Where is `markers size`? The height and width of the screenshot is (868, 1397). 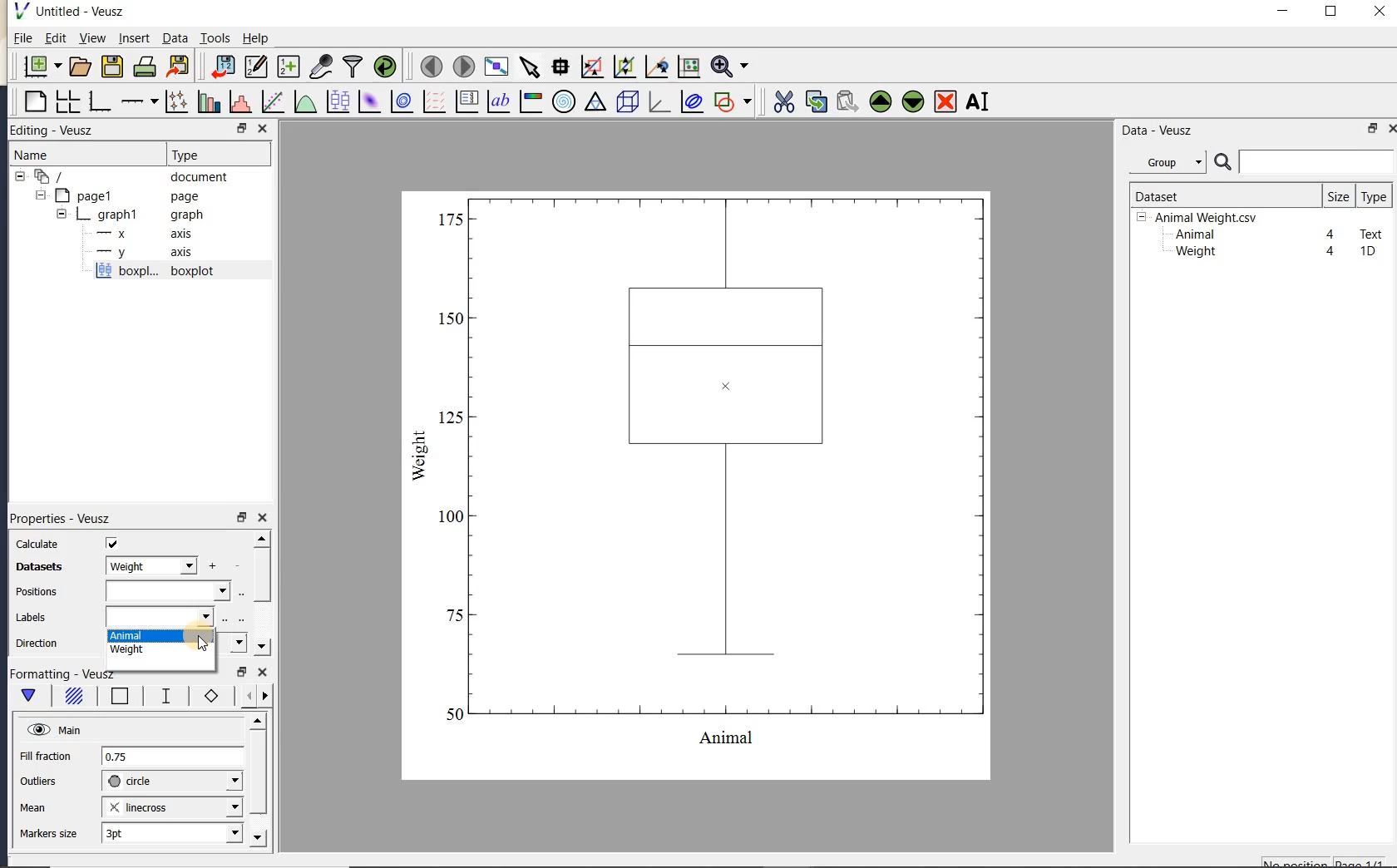 markers size is located at coordinates (51, 834).